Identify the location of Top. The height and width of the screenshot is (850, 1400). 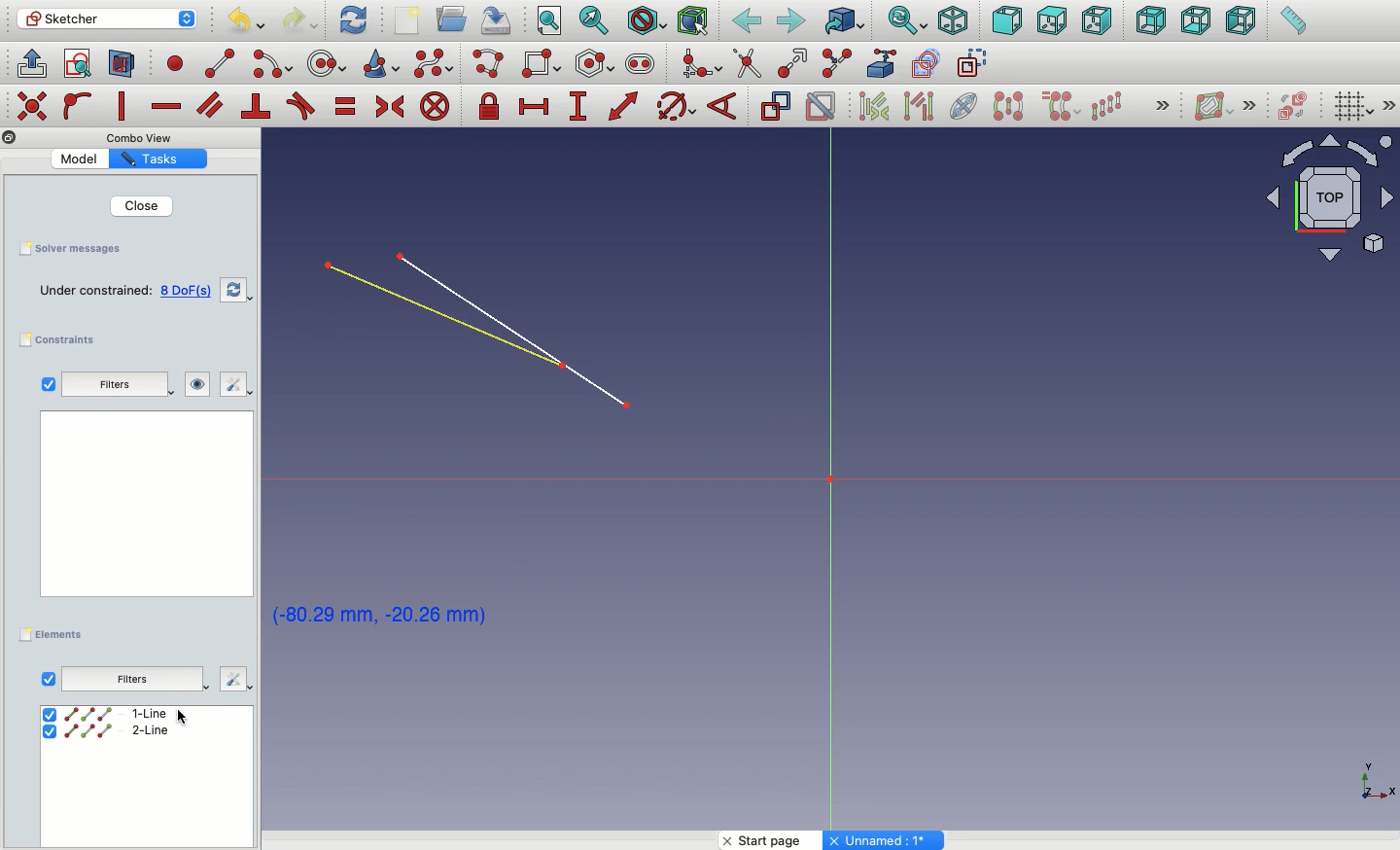
(1050, 22).